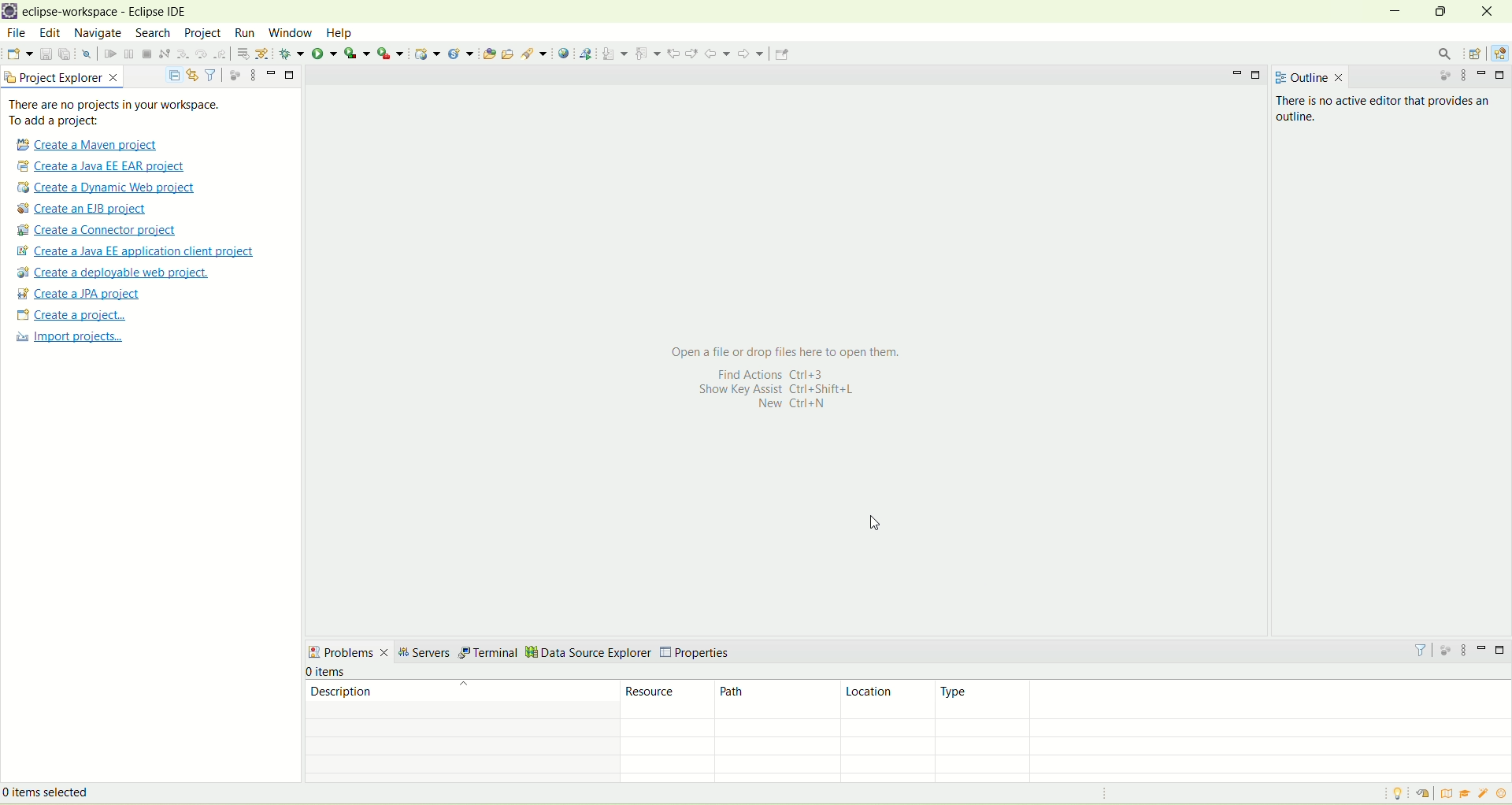  I want to click on create a project, so click(69, 315).